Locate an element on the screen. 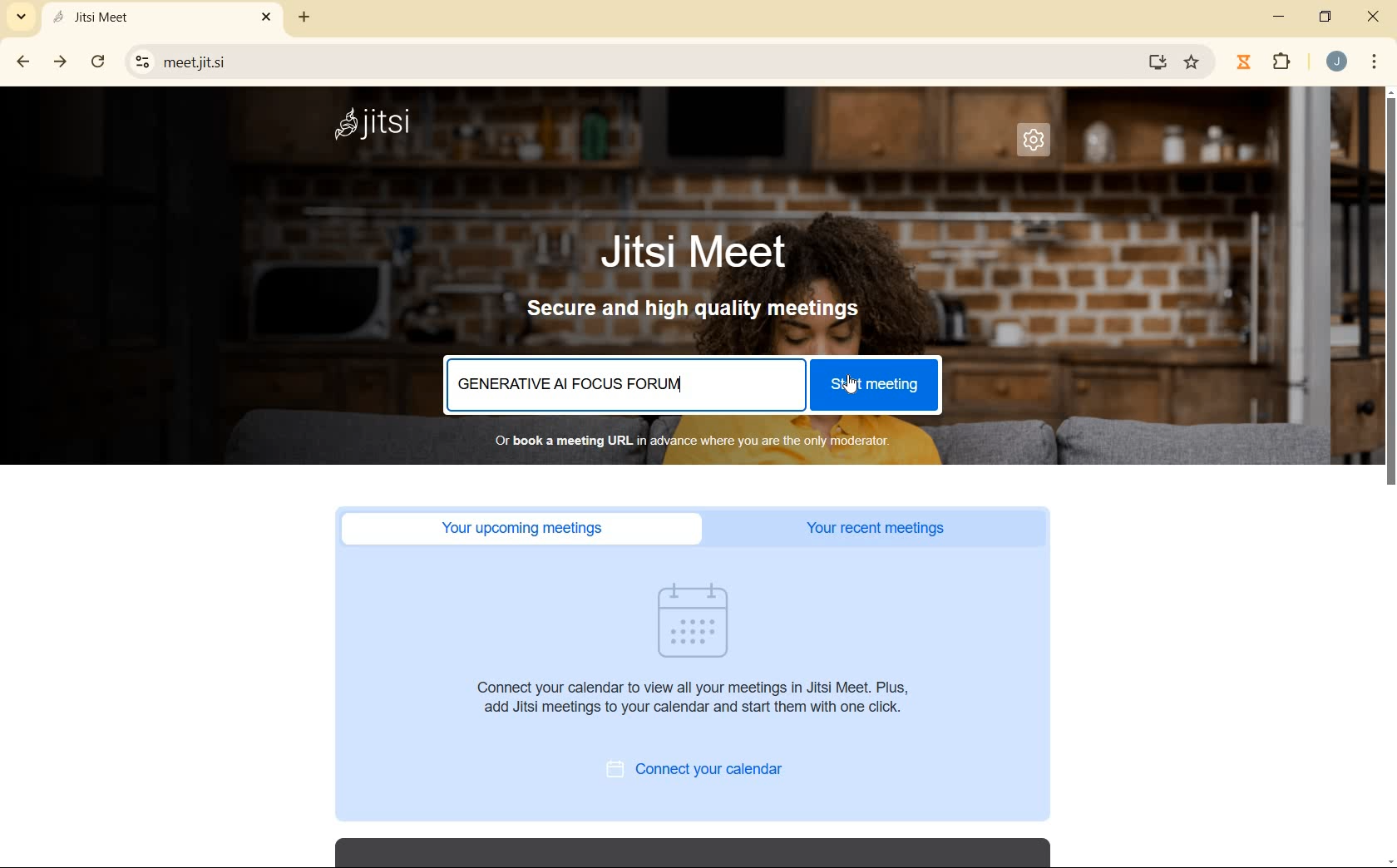 This screenshot has height=868, width=1397. CLOSE is located at coordinates (1373, 18).